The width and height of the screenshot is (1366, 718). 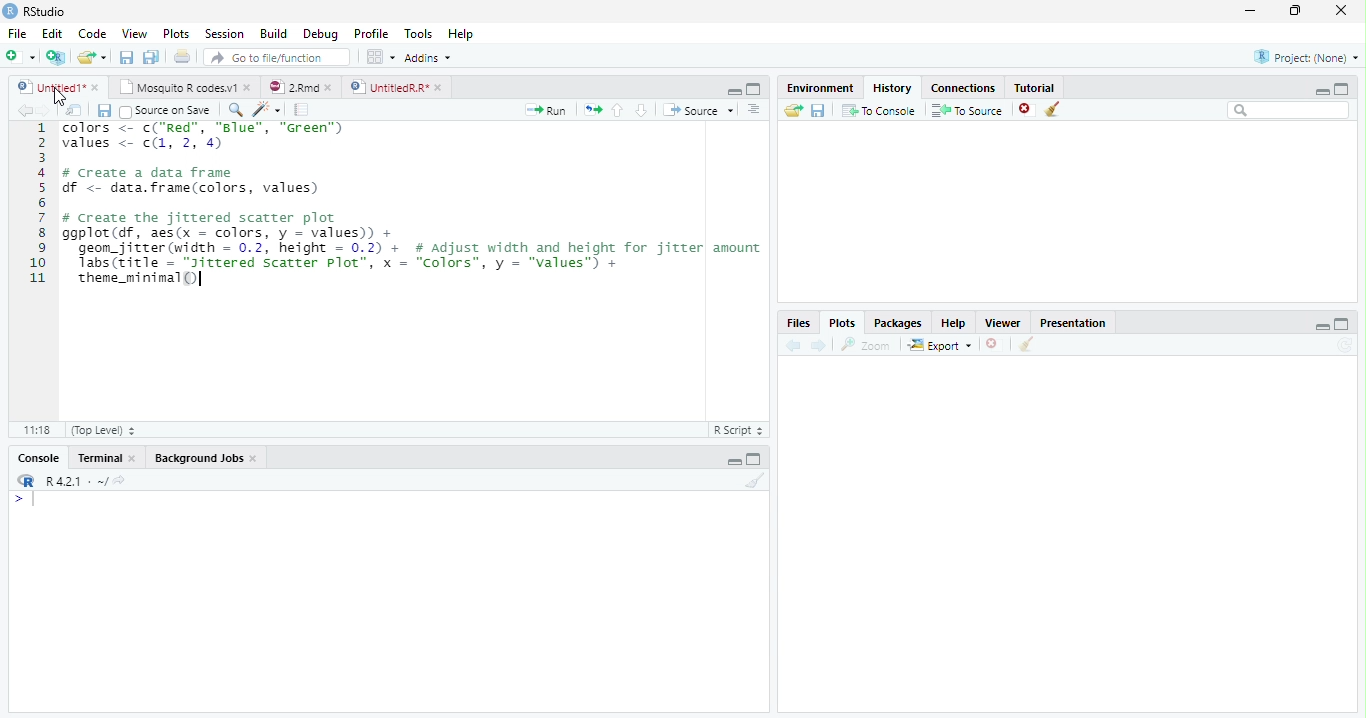 I want to click on R Script, so click(x=739, y=430).